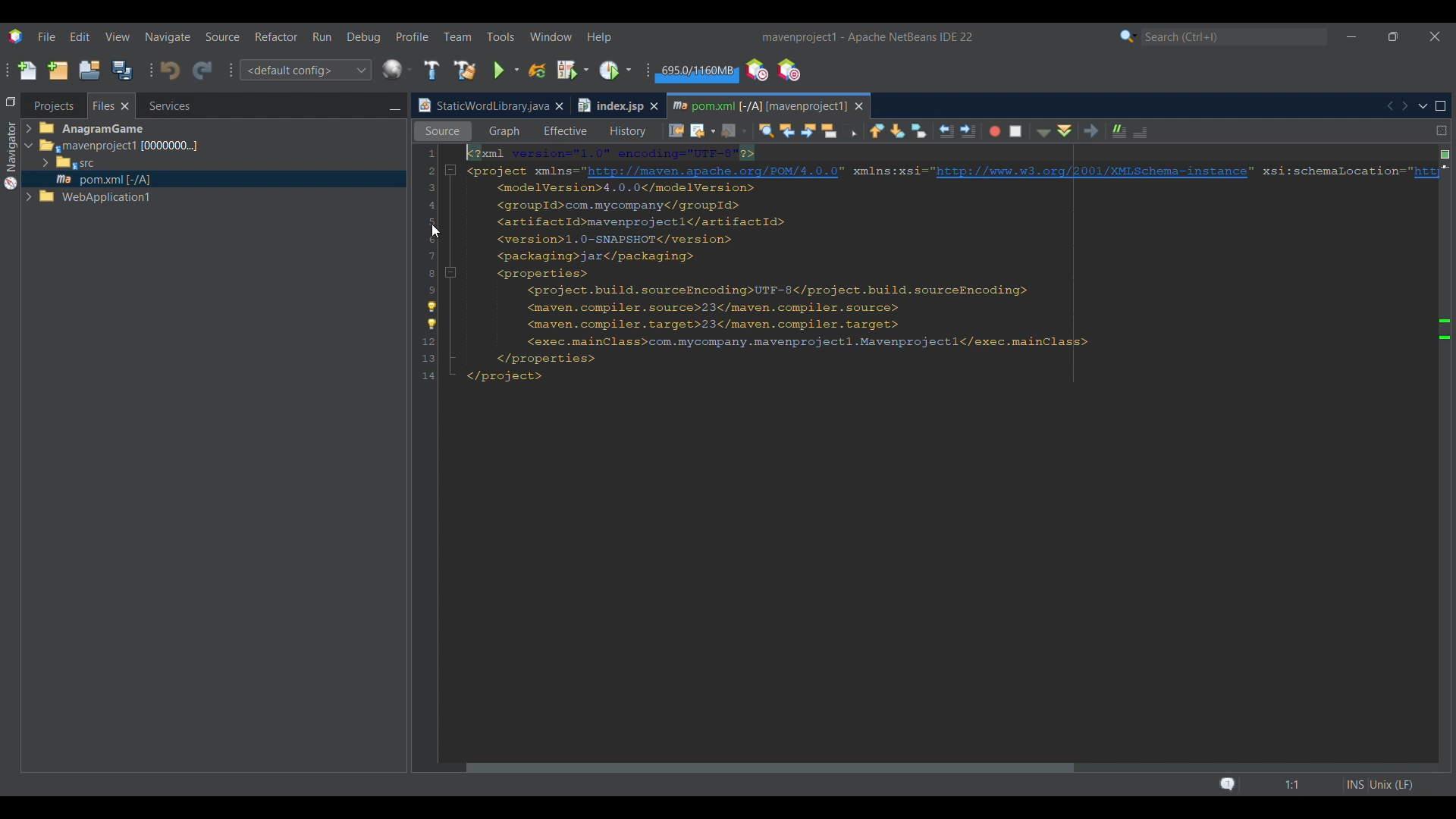 The image size is (1456, 819). I want to click on Source view, so click(439, 131).